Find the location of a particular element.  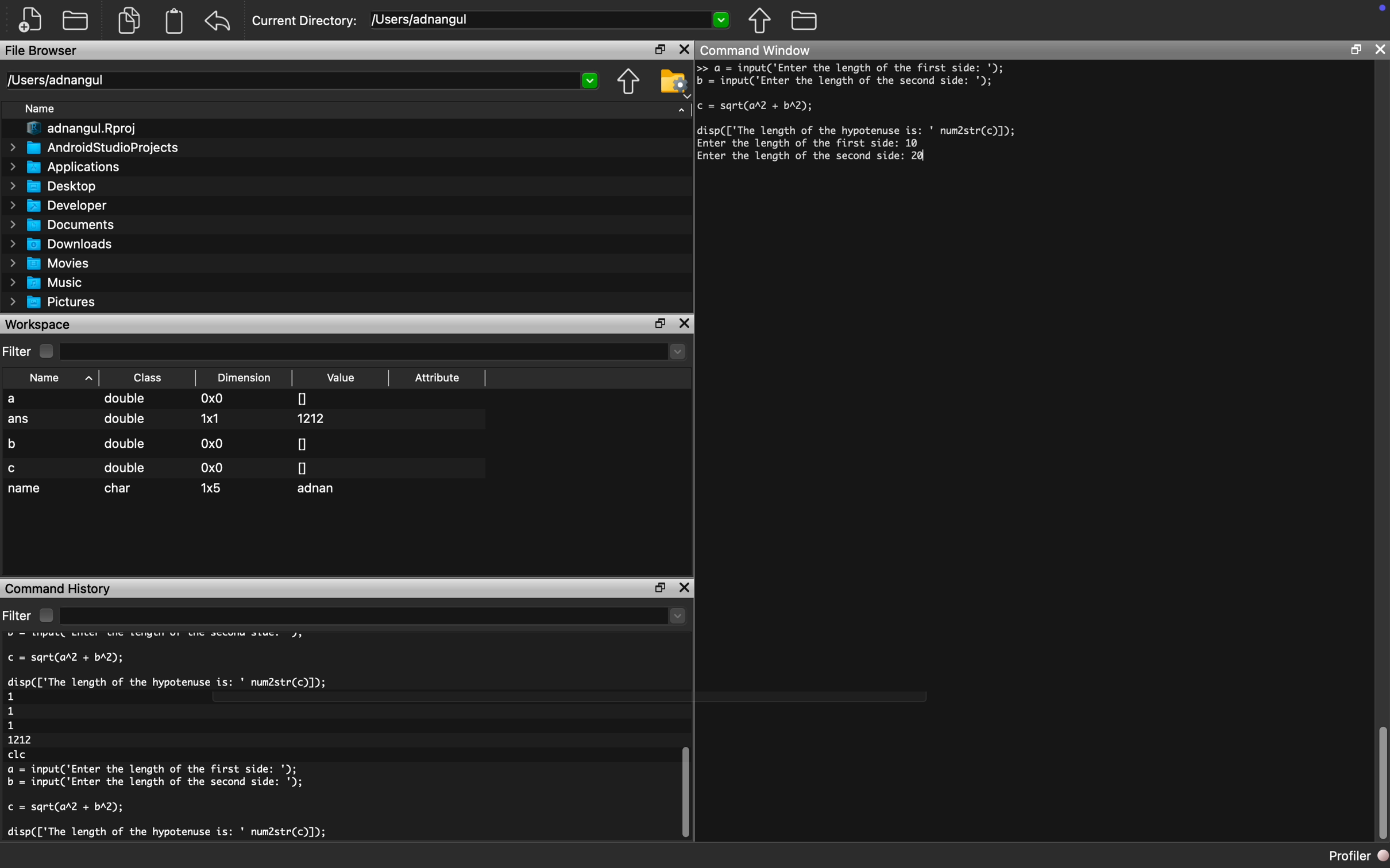

Documents is located at coordinates (65, 224).